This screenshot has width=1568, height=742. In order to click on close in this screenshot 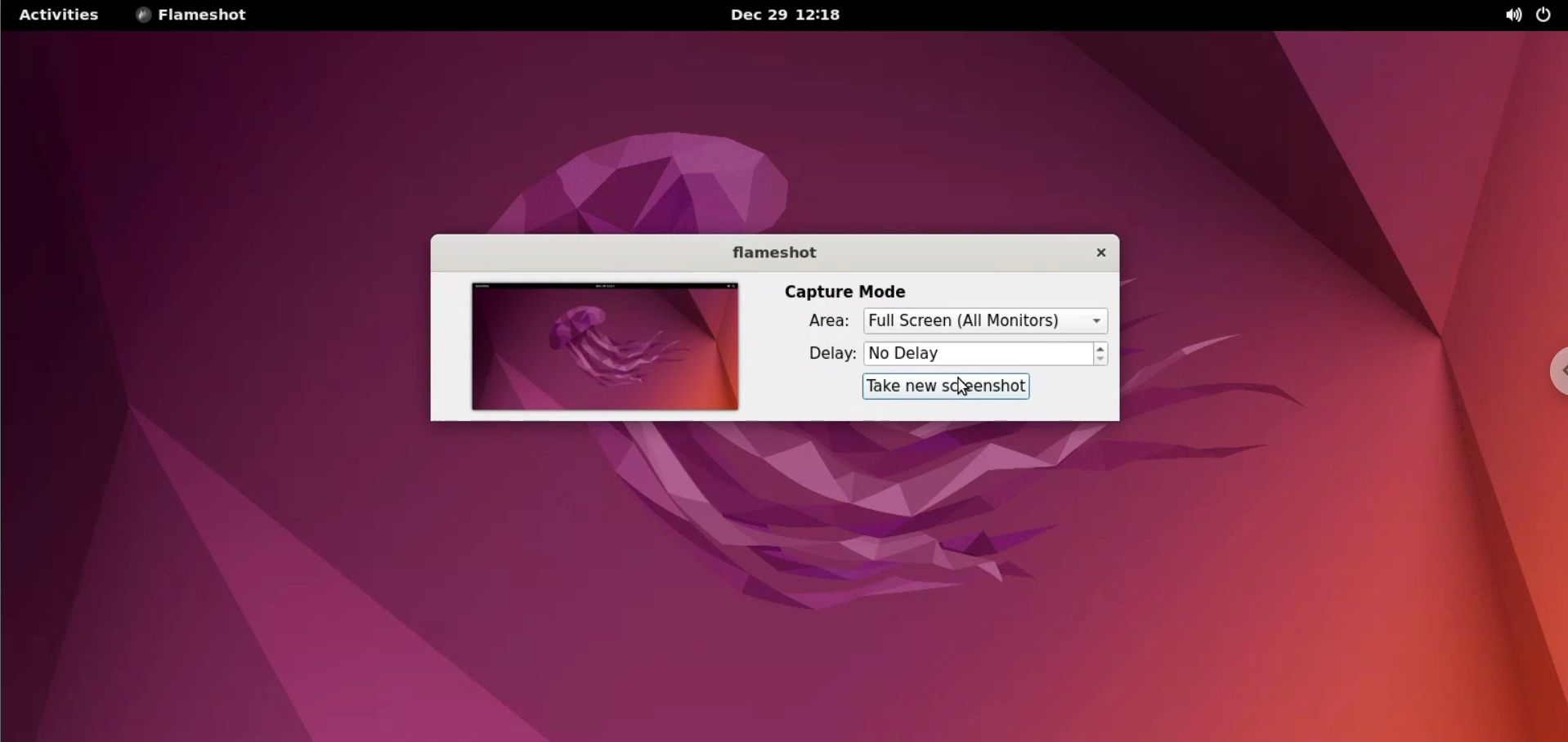, I will do `click(1096, 253)`.